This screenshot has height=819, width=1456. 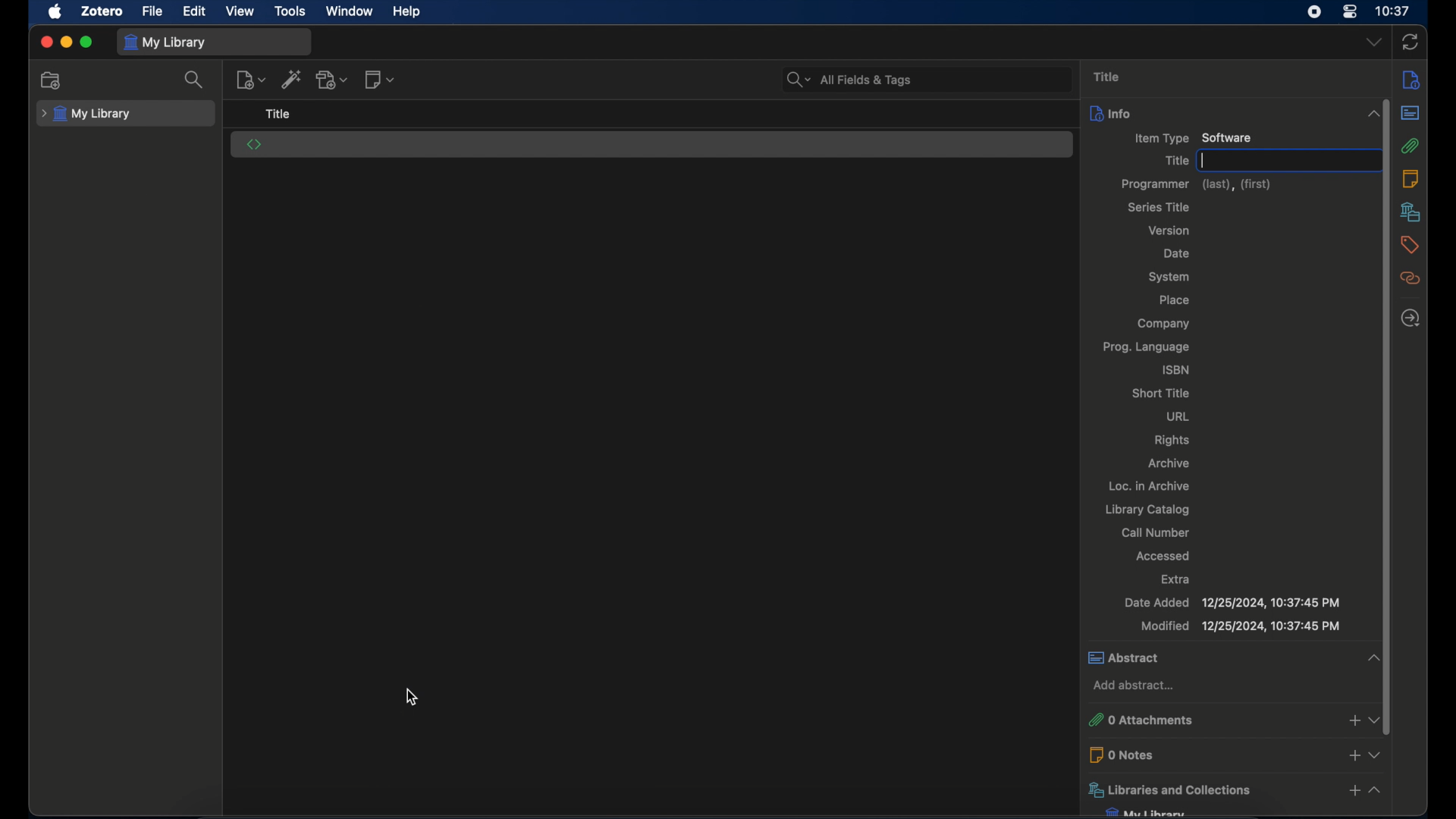 What do you see at coordinates (1375, 43) in the screenshot?
I see `dropdown` at bounding box center [1375, 43].